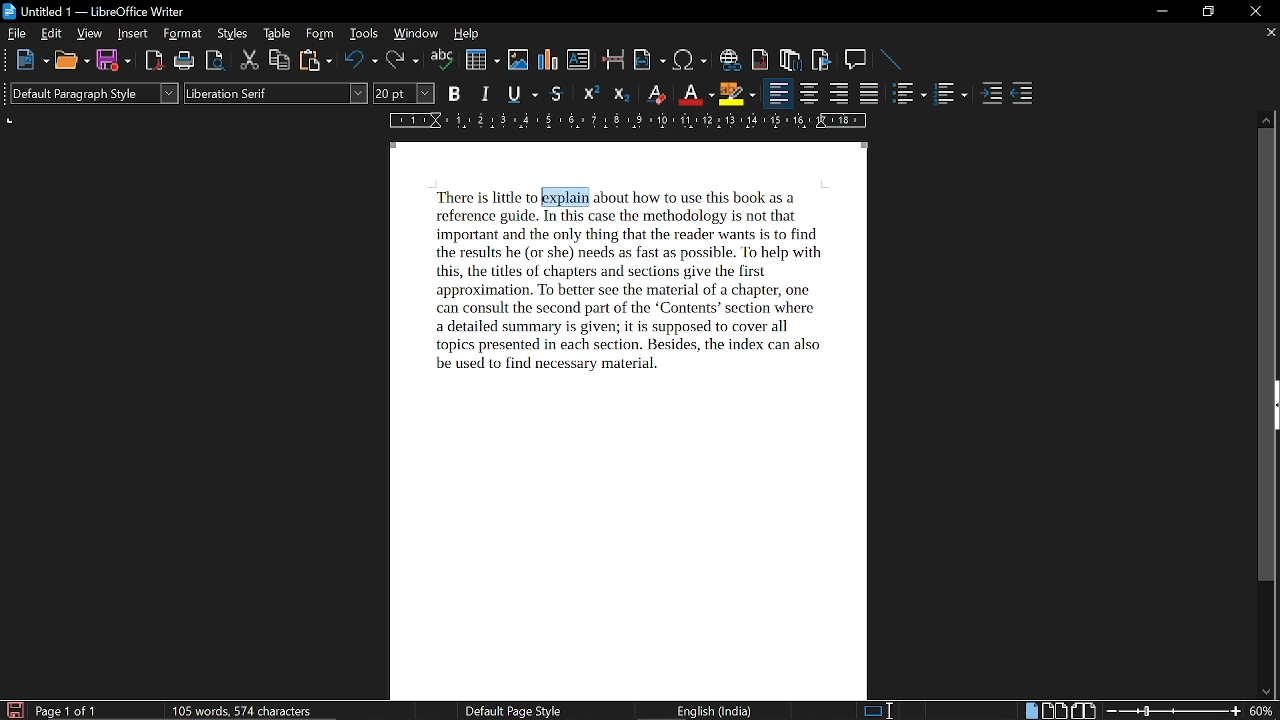 This screenshot has width=1280, height=720. I want to click on styles, so click(233, 35).